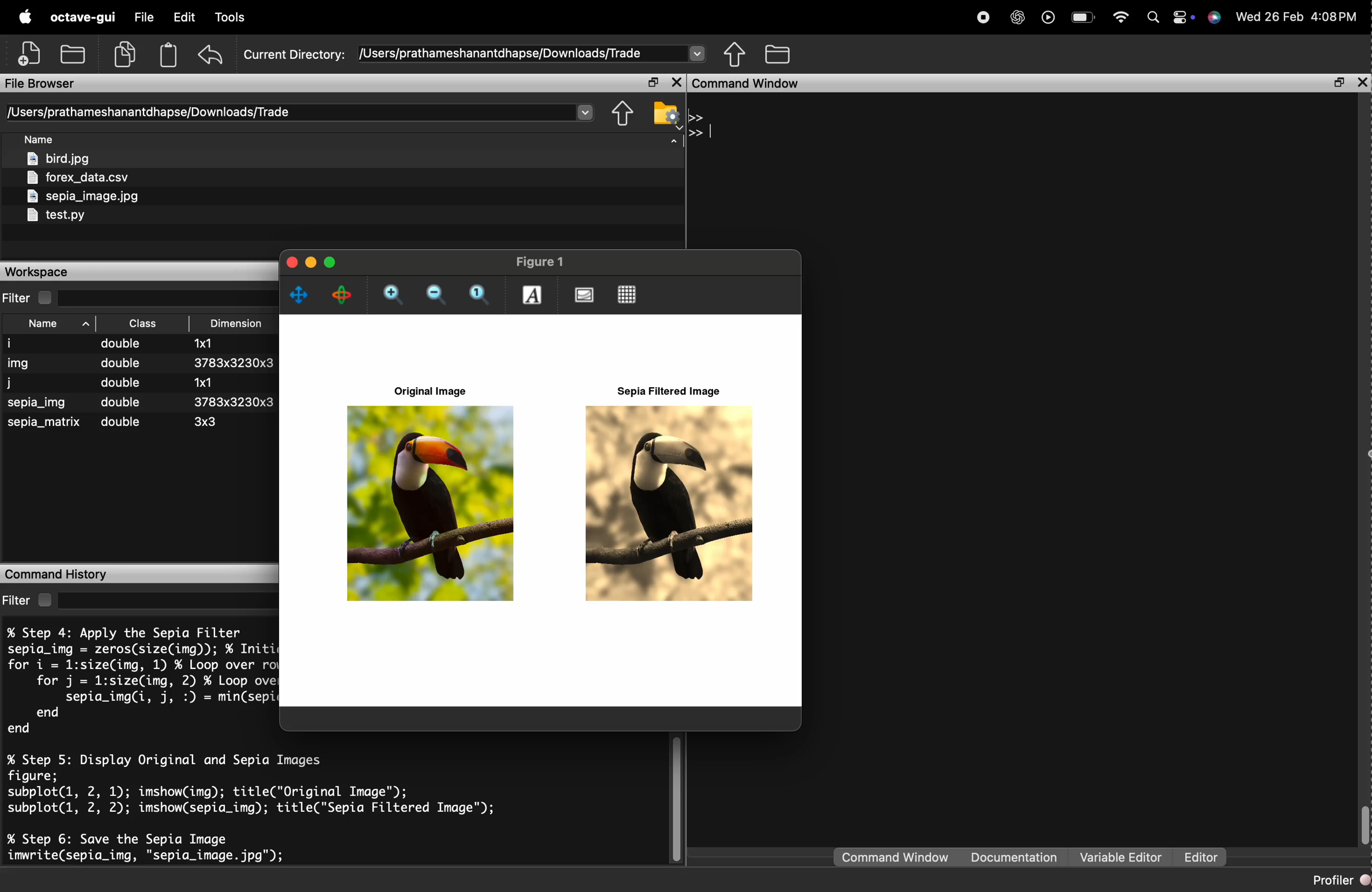 This screenshot has height=892, width=1372. Describe the element at coordinates (585, 112) in the screenshot. I see `Drop-down ` at that location.